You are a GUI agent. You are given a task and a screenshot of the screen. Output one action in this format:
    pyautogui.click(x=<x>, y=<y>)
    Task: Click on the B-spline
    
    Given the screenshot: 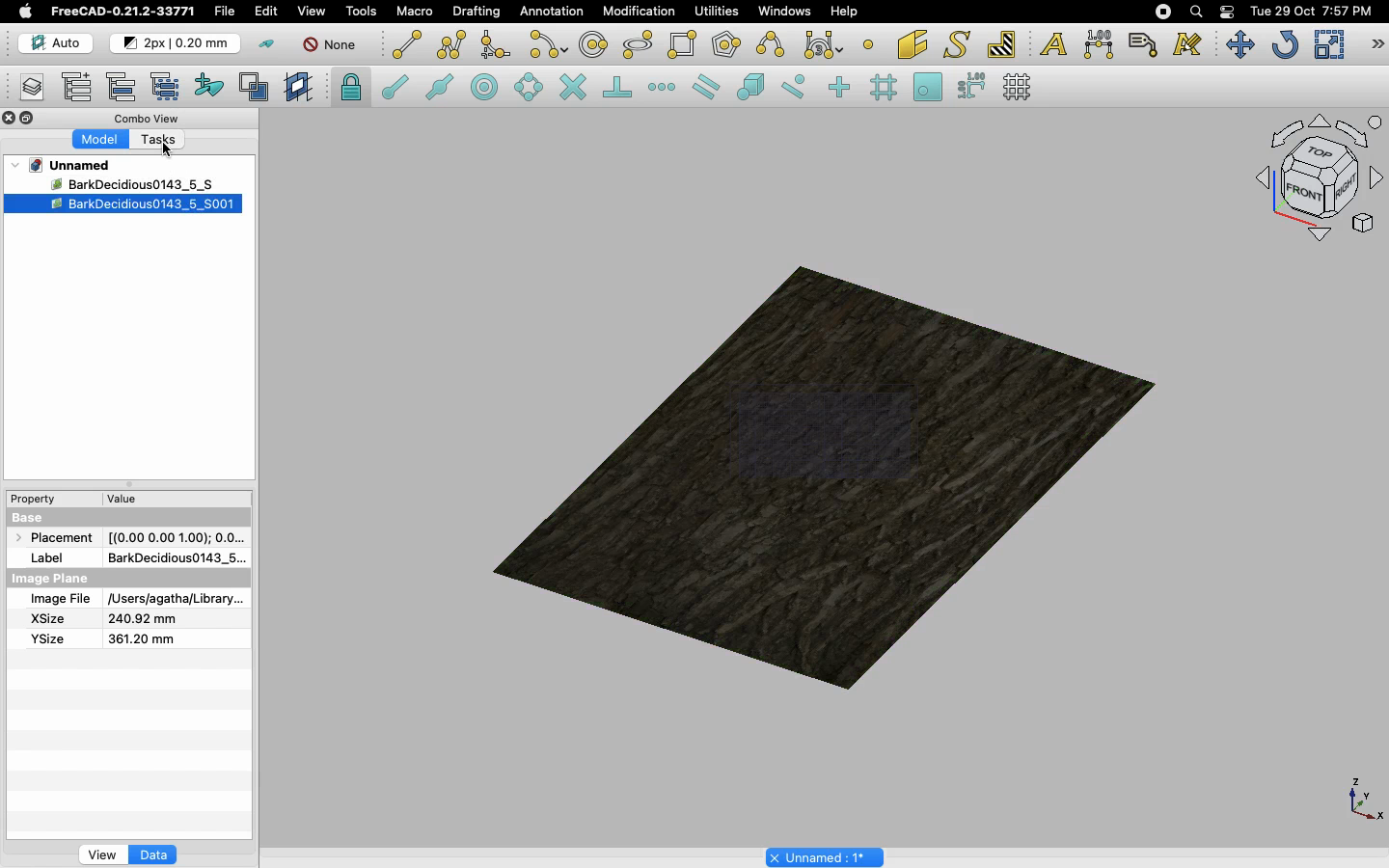 What is the action you would take?
    pyautogui.click(x=774, y=44)
    